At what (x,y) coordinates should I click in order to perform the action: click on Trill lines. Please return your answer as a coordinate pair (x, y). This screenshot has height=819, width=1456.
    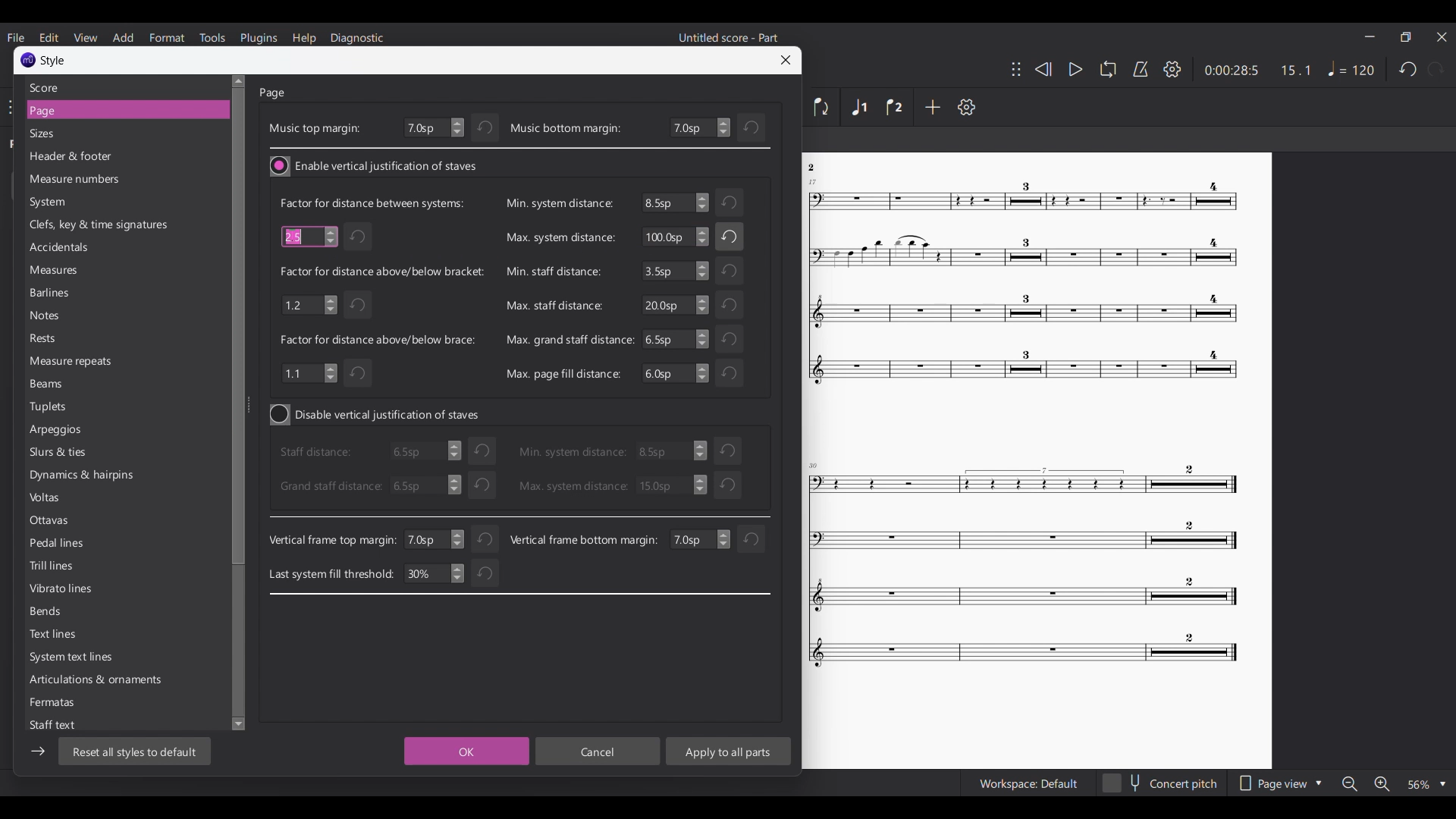
    Looking at the image, I should click on (81, 566).